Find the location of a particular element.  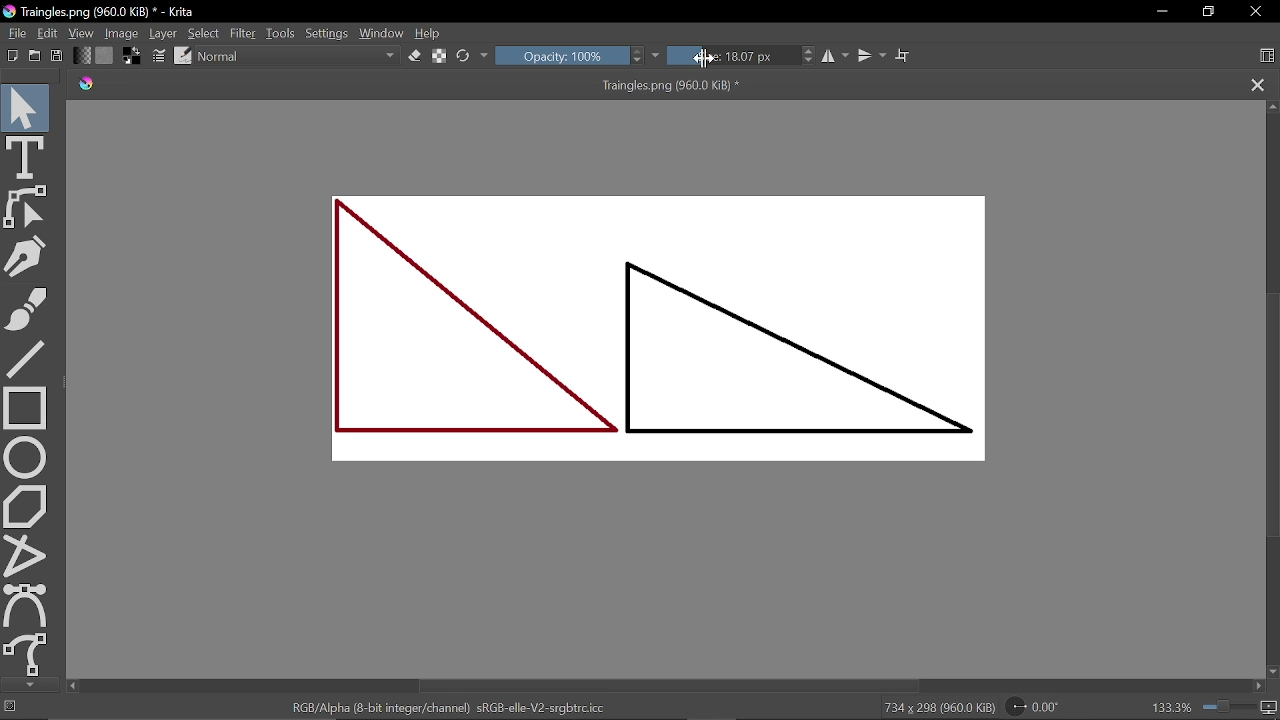

Cursor is located at coordinates (705, 58).